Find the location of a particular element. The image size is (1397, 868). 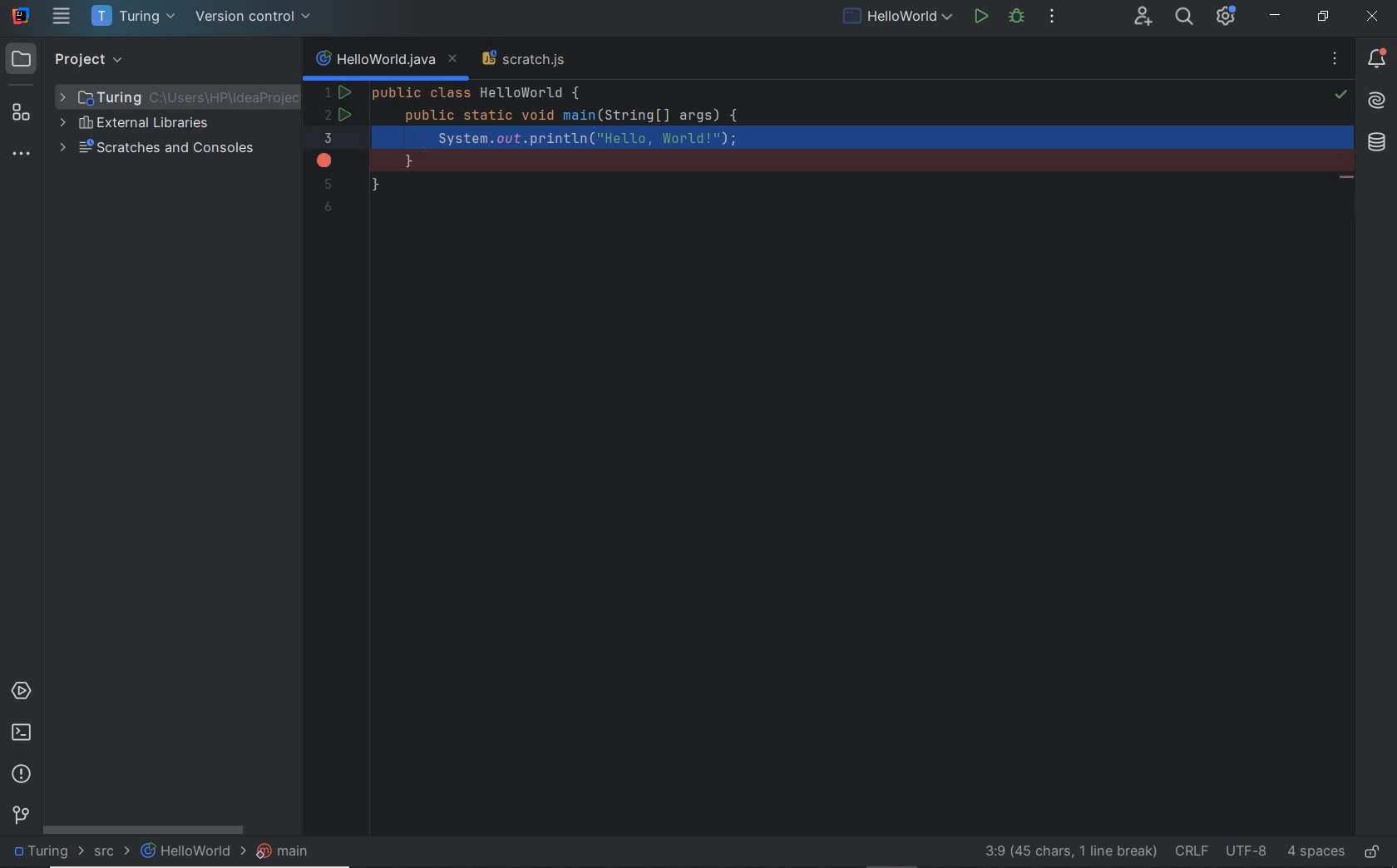

services is located at coordinates (21, 693).